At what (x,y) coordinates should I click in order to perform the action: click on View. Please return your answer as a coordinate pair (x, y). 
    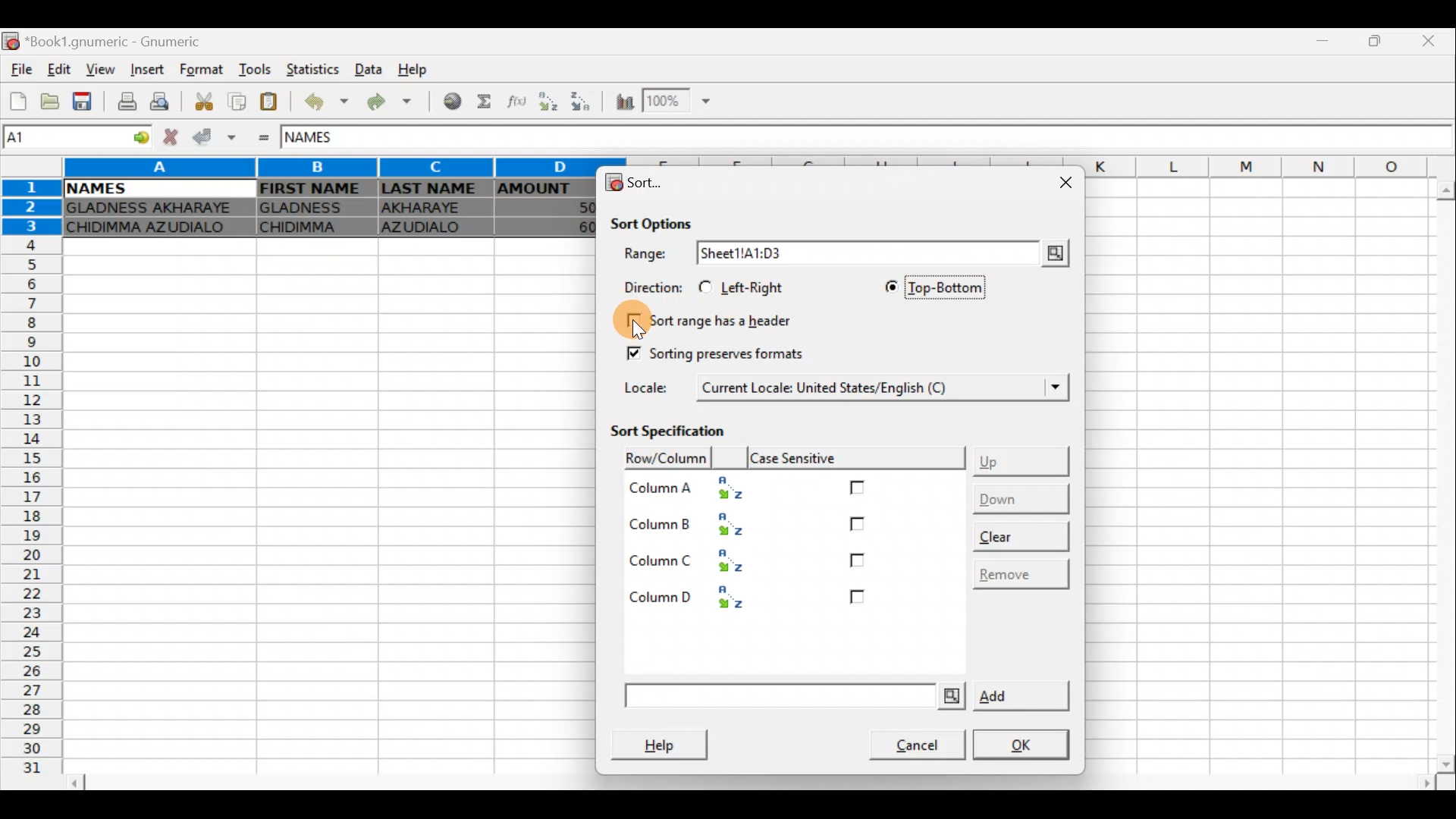
    Looking at the image, I should click on (96, 70).